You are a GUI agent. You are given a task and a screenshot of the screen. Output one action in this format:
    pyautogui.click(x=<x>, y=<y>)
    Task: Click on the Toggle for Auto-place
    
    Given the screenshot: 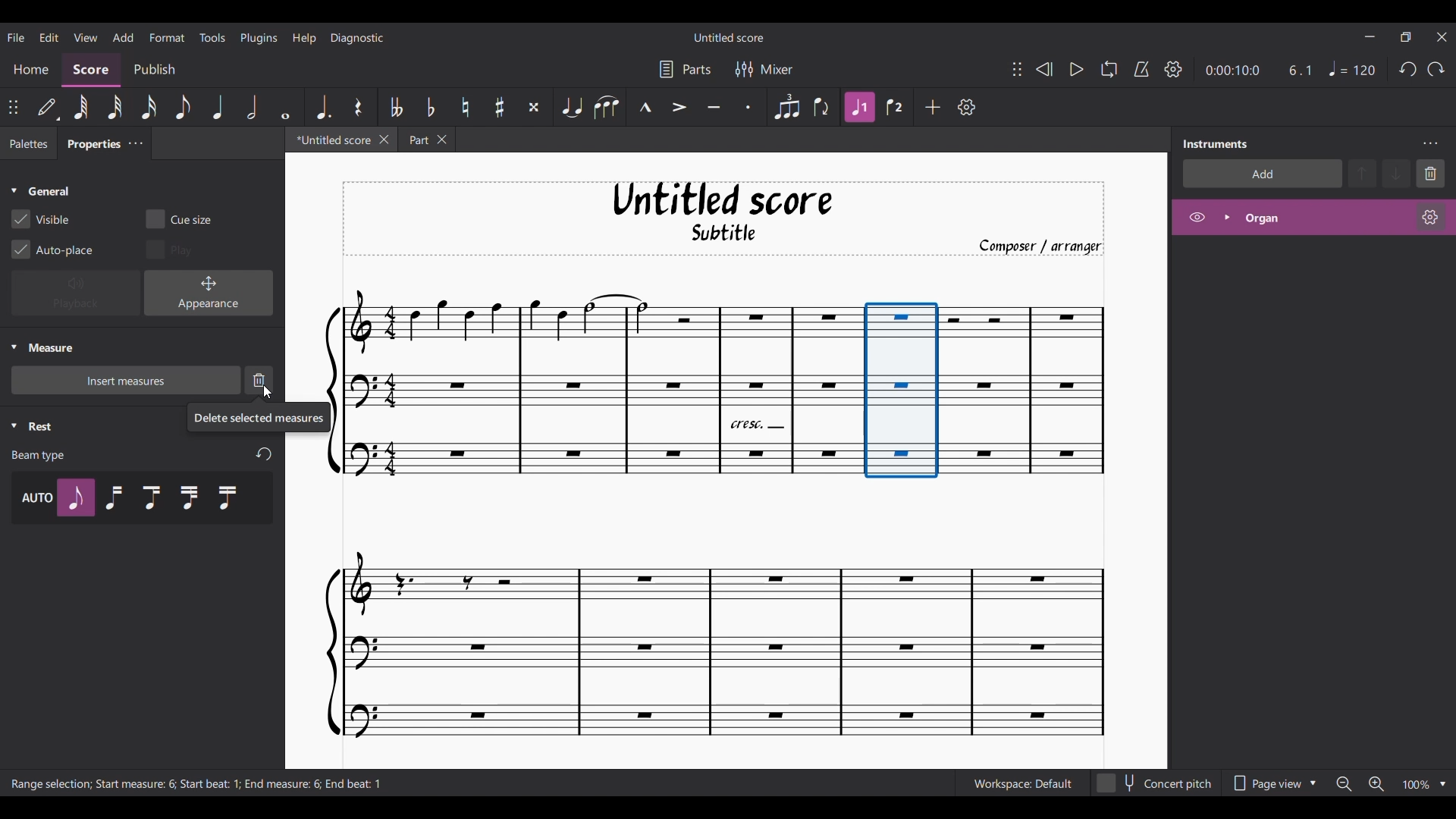 What is the action you would take?
    pyautogui.click(x=52, y=249)
    